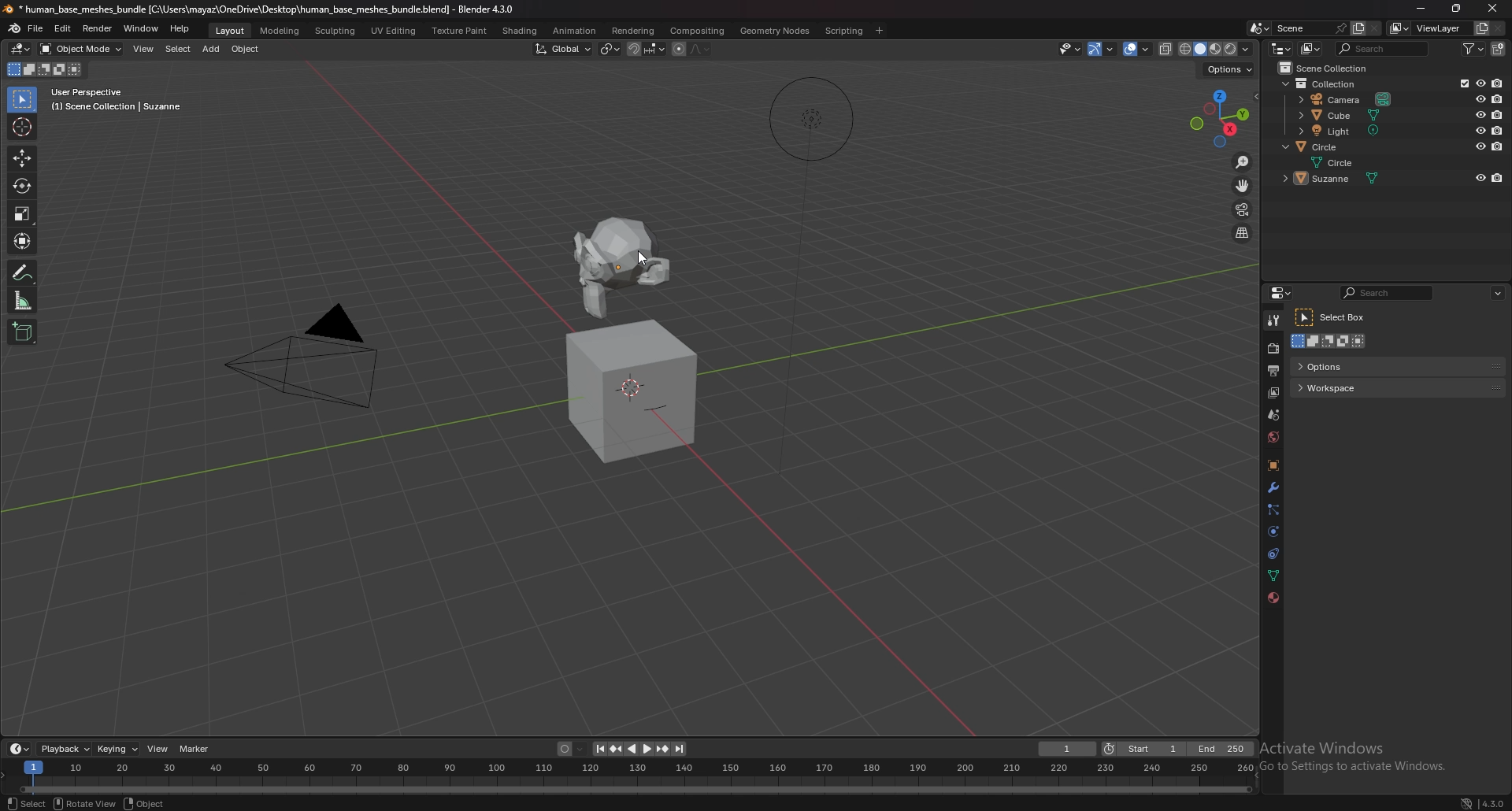  Describe the element at coordinates (23, 99) in the screenshot. I see `selector` at that location.